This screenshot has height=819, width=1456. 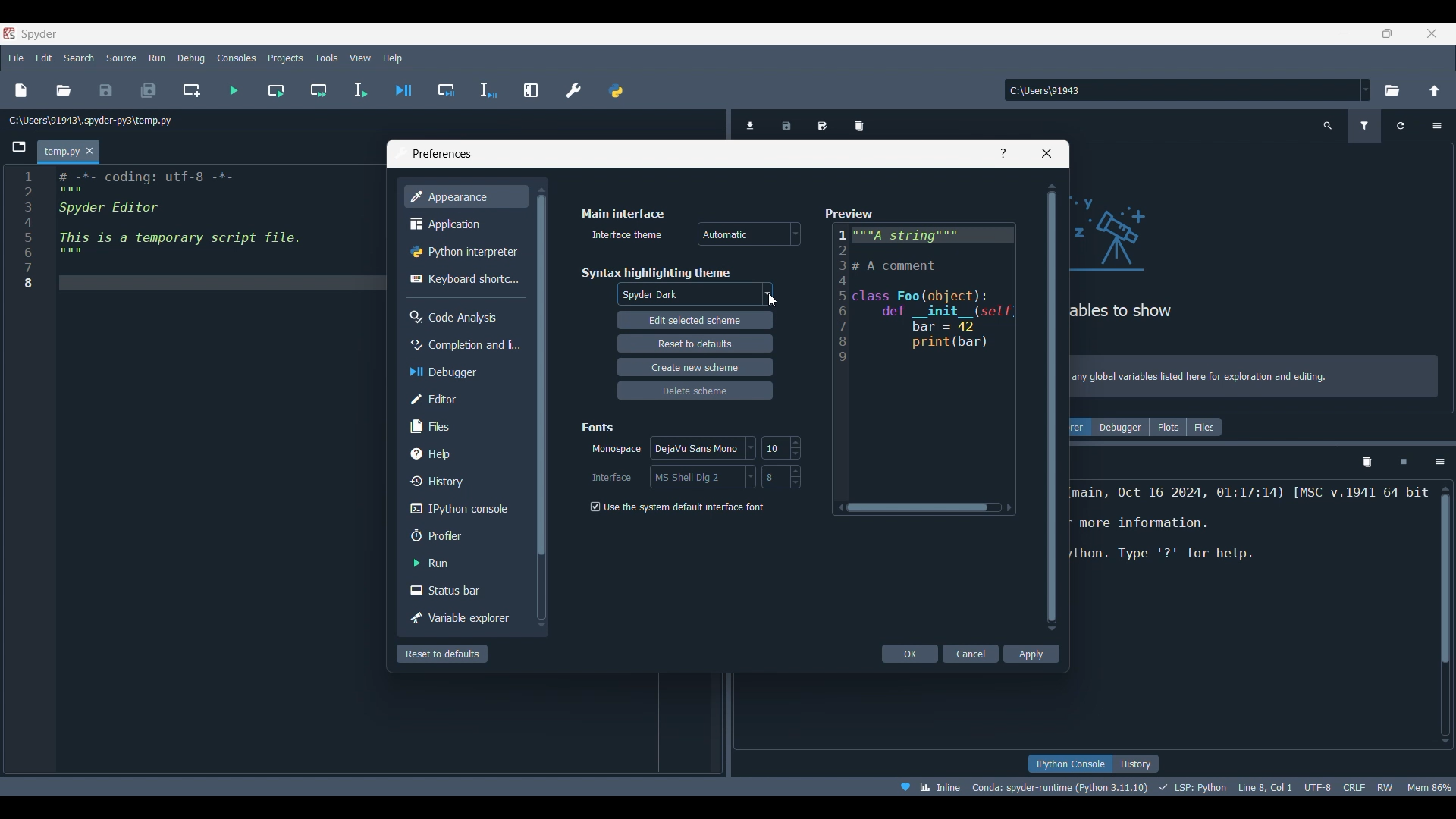 I want to click on History, so click(x=1136, y=764).